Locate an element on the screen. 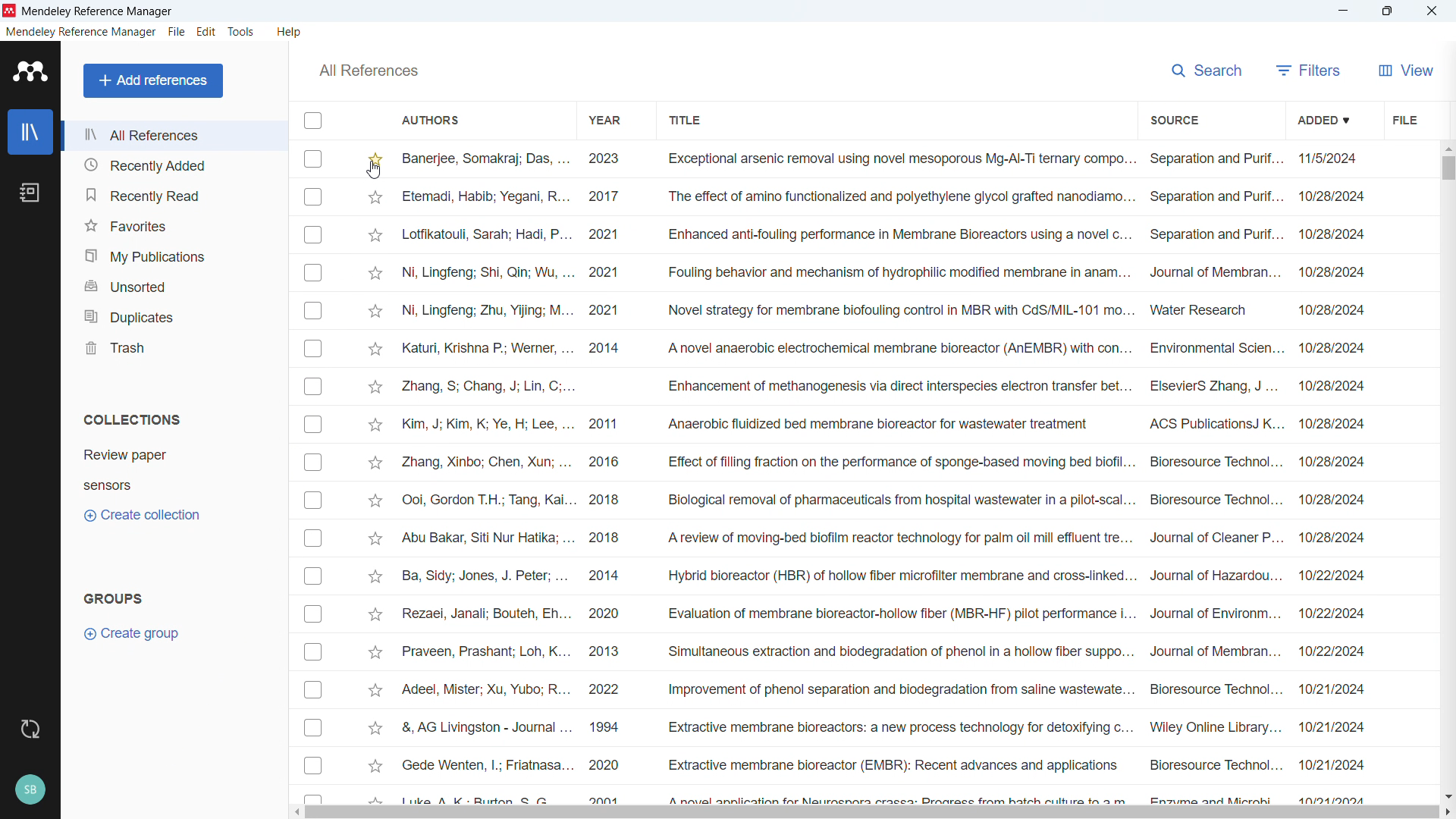 This screenshot has height=819, width=1456. Create collection  is located at coordinates (141, 515).